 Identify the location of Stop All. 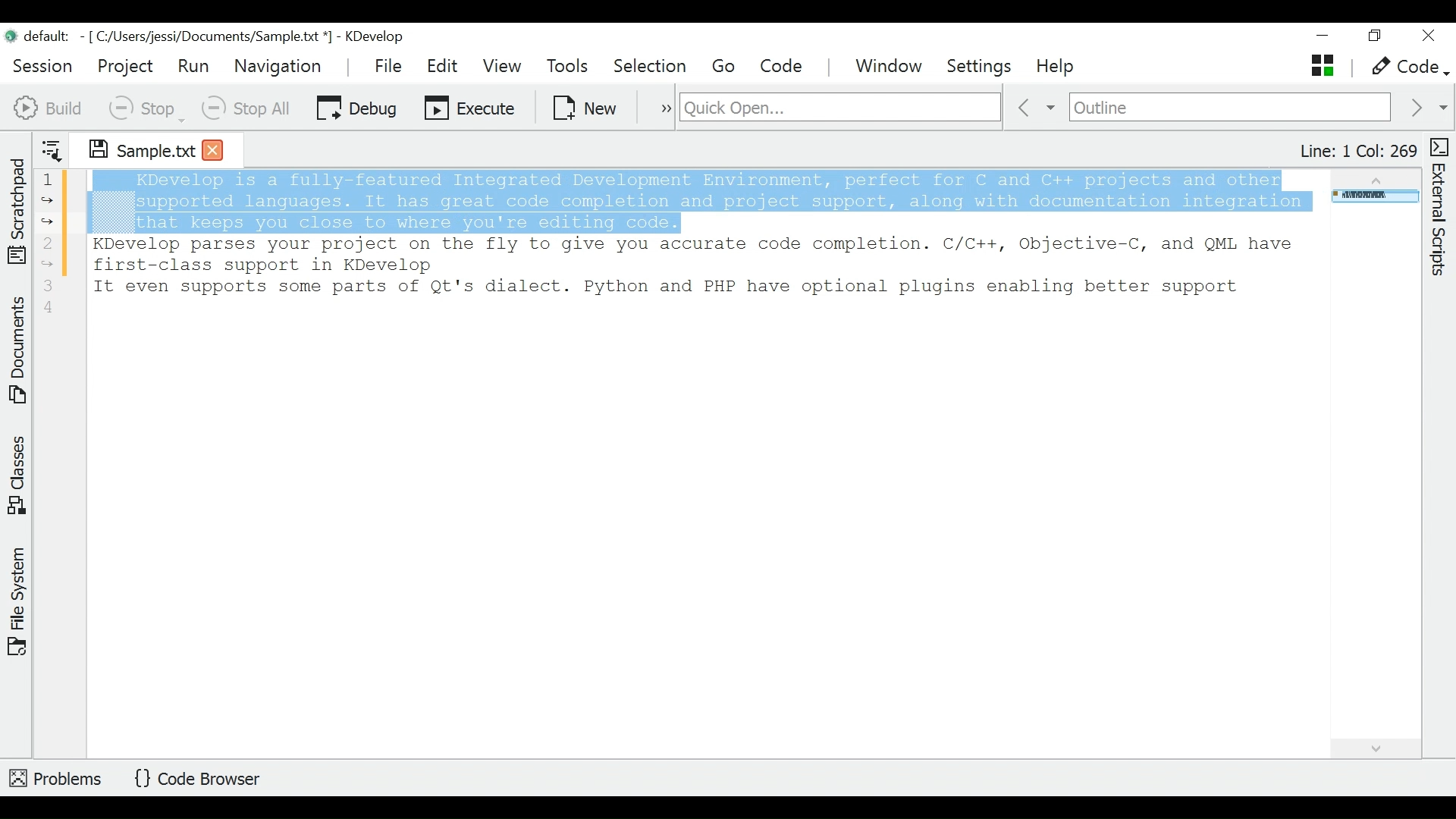
(248, 108).